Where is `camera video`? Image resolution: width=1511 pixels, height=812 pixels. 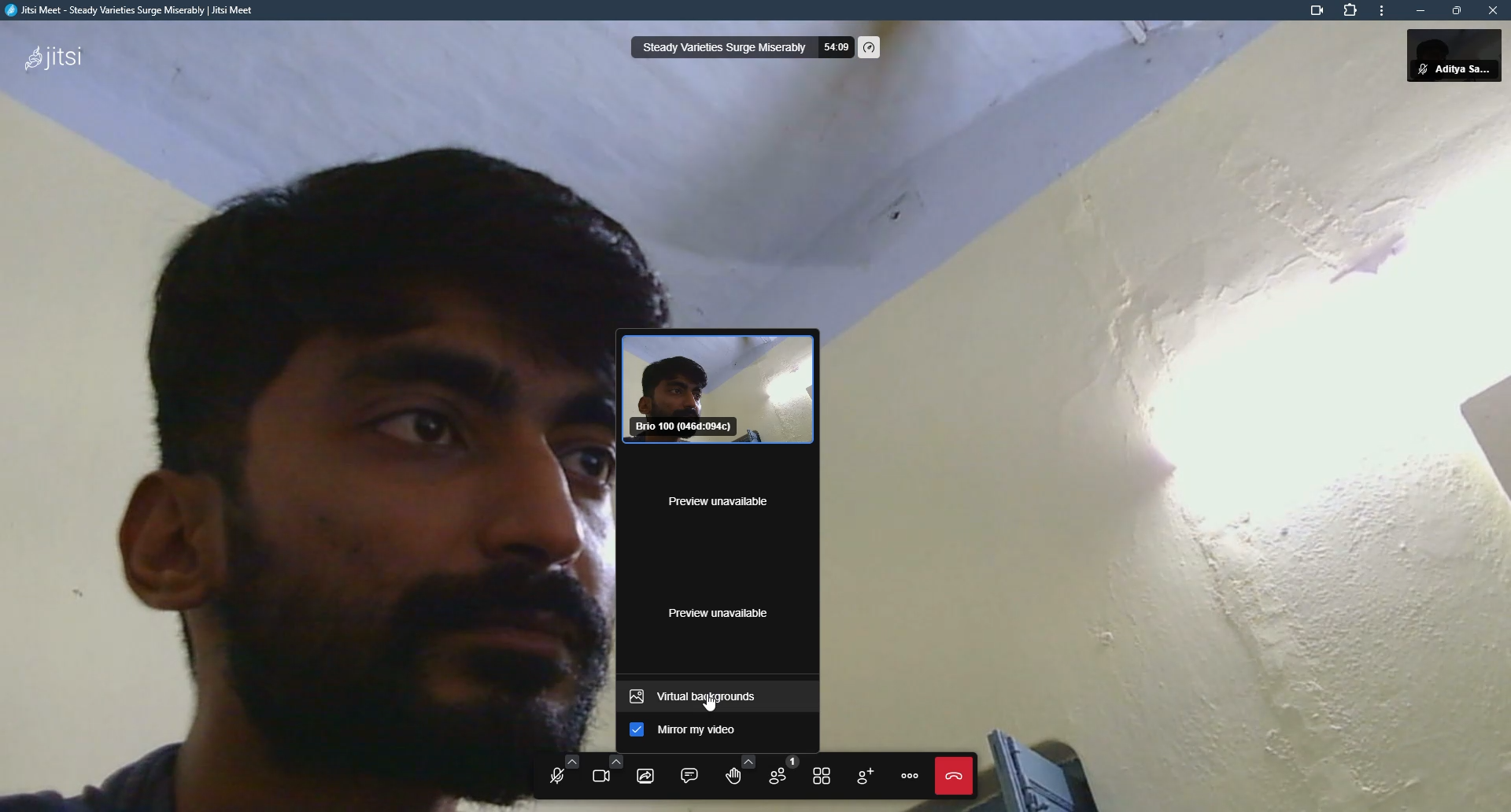
camera video is located at coordinates (721, 389).